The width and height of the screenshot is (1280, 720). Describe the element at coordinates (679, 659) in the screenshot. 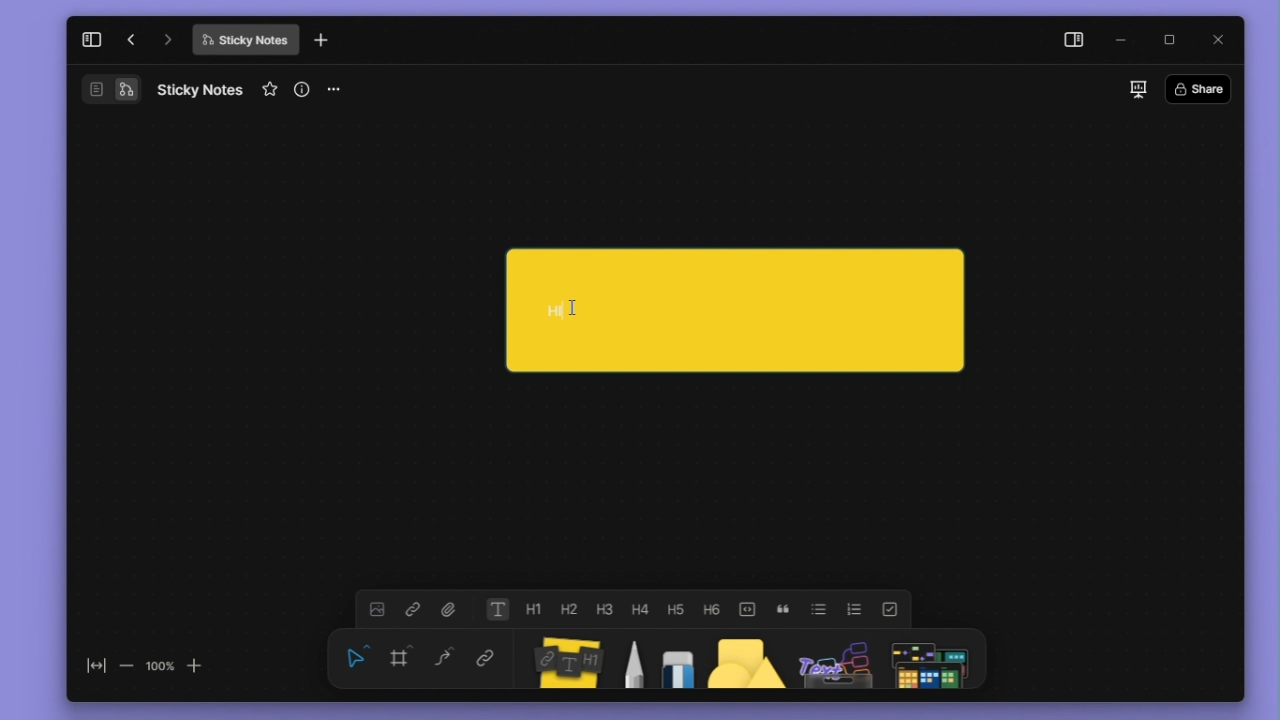

I see `eraser` at that location.